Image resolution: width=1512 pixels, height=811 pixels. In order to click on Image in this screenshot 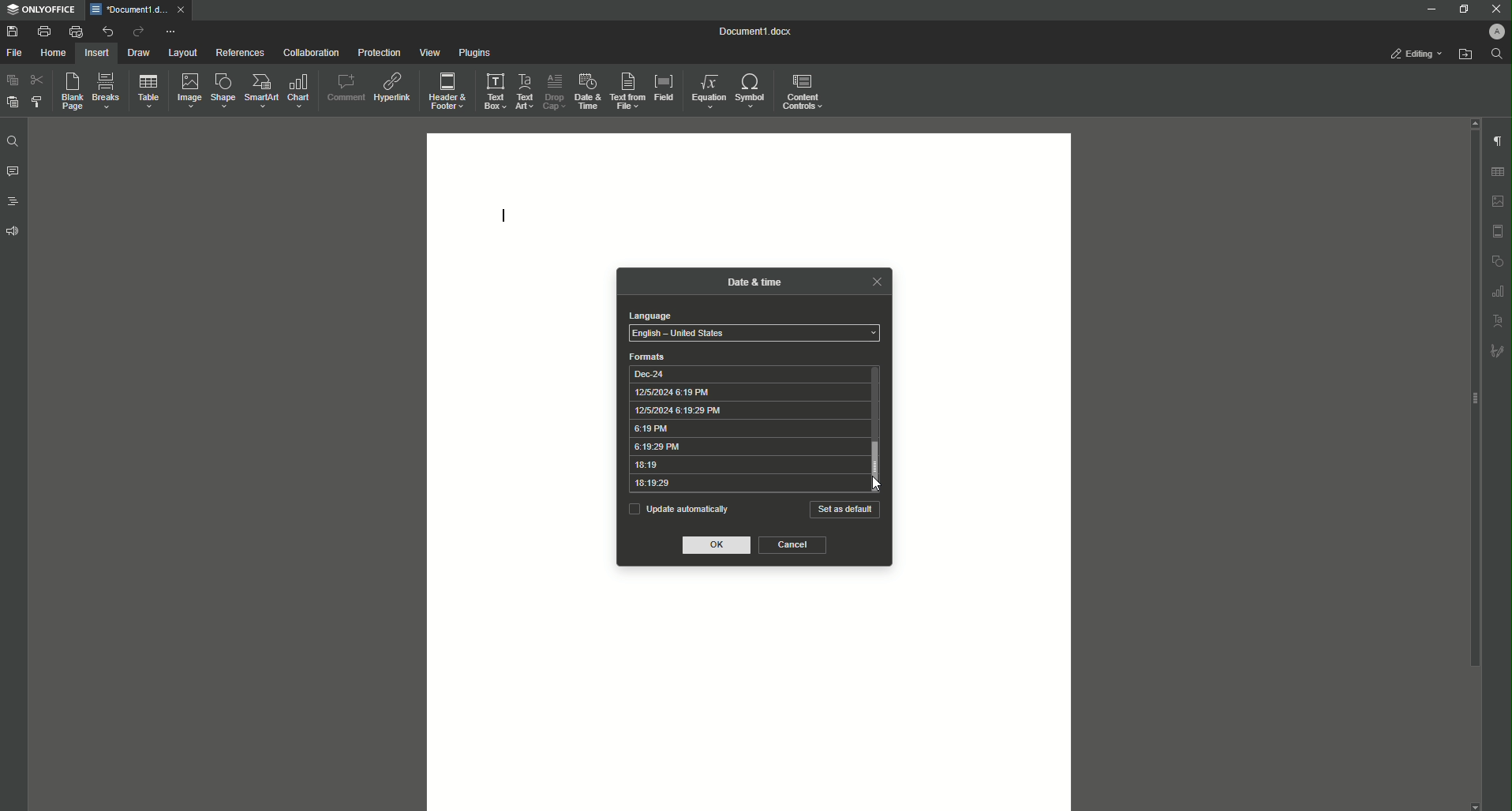, I will do `click(185, 90)`.